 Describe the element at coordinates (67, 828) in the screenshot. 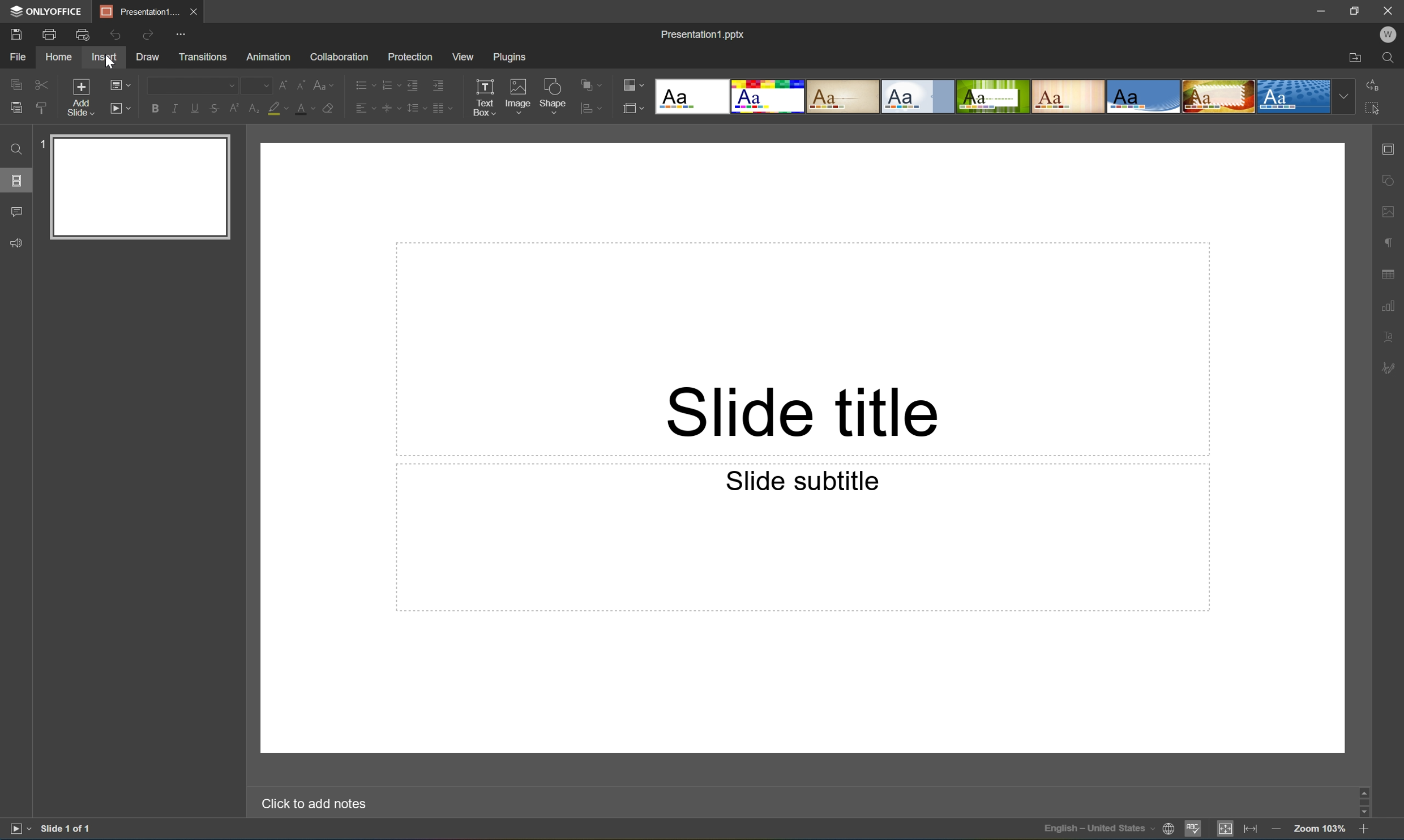

I see `Slide 1 of 1` at that location.